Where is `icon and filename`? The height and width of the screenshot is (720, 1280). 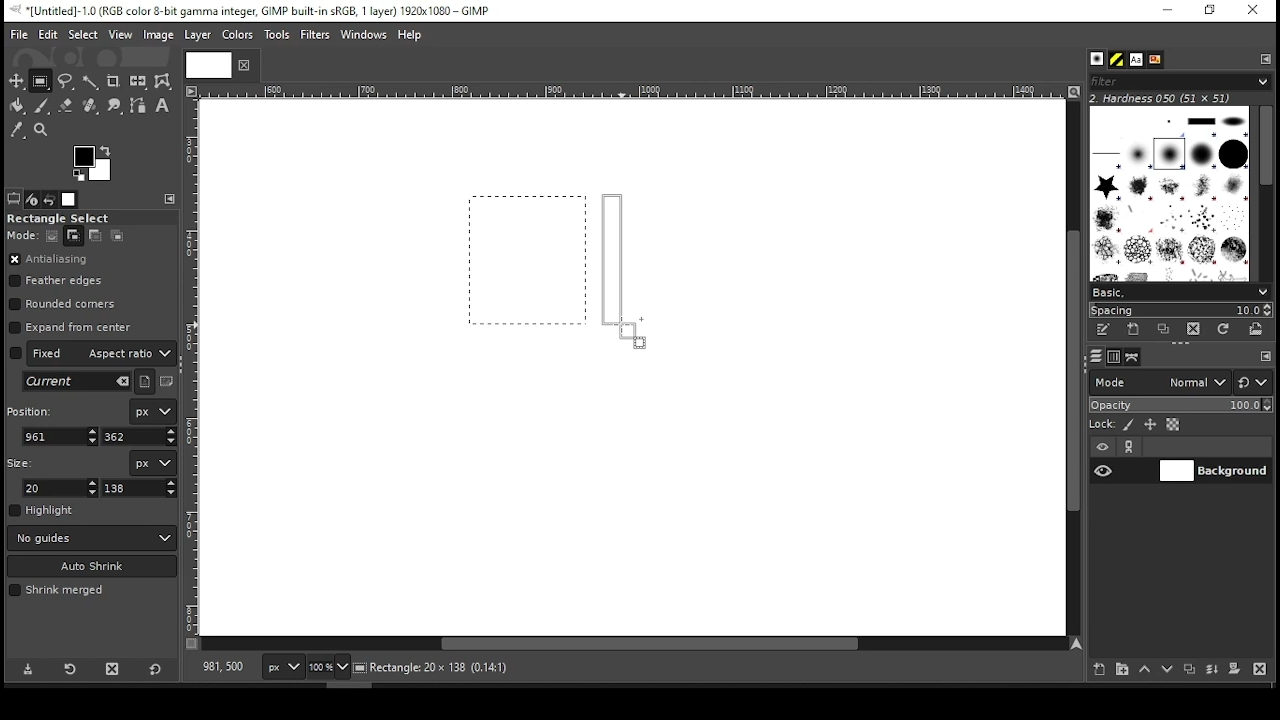 icon and filename is located at coordinates (252, 9).